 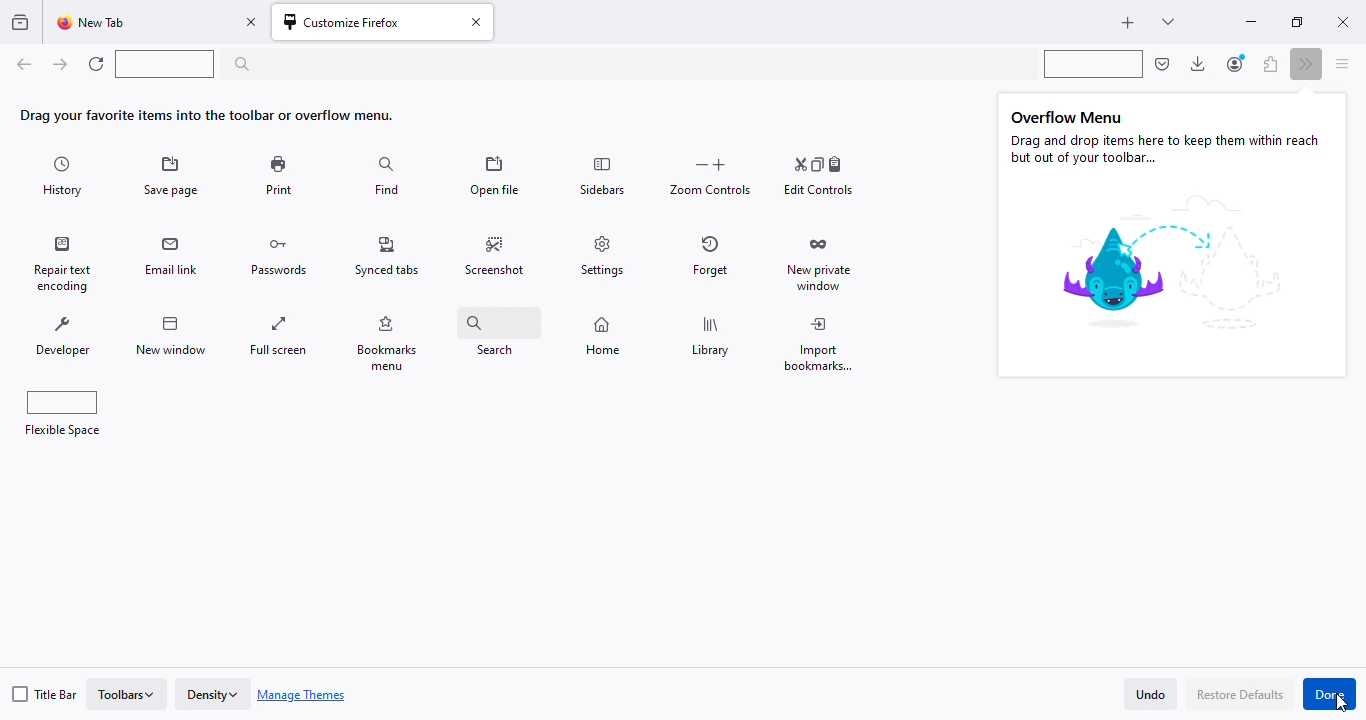 What do you see at coordinates (387, 257) in the screenshot?
I see `synced tabs` at bounding box center [387, 257].